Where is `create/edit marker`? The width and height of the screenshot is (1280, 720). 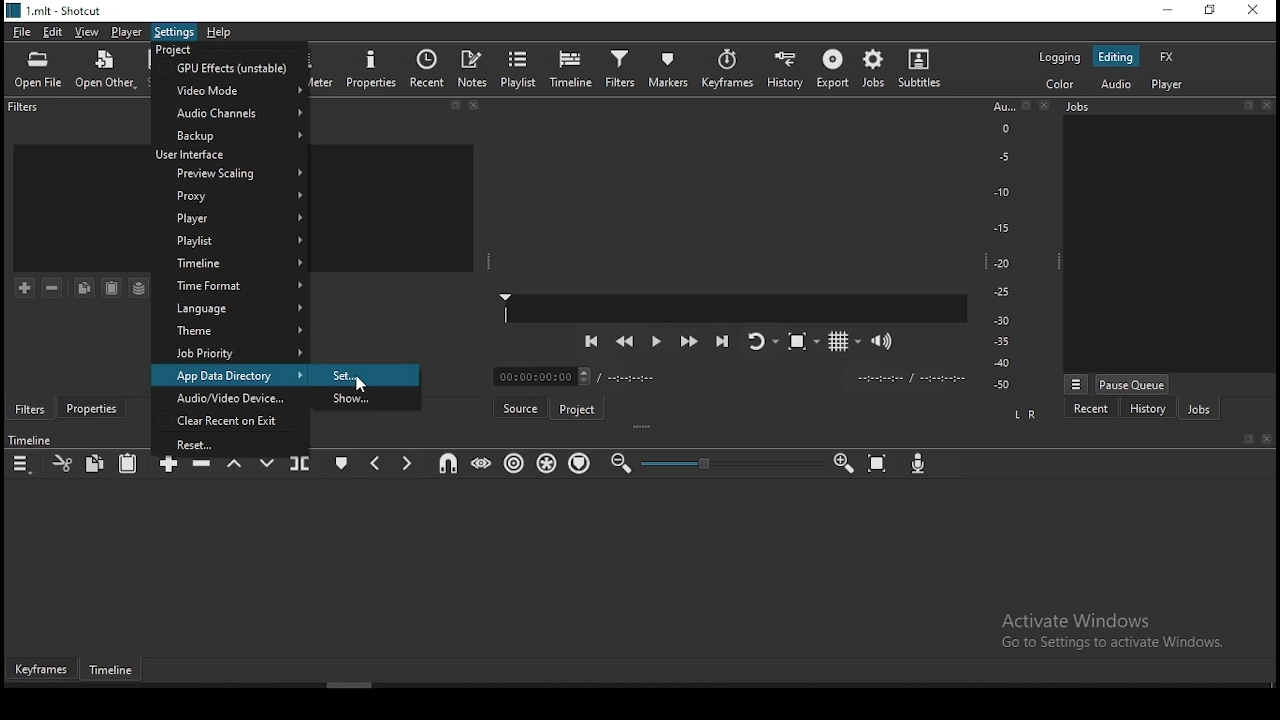 create/edit marker is located at coordinates (343, 460).